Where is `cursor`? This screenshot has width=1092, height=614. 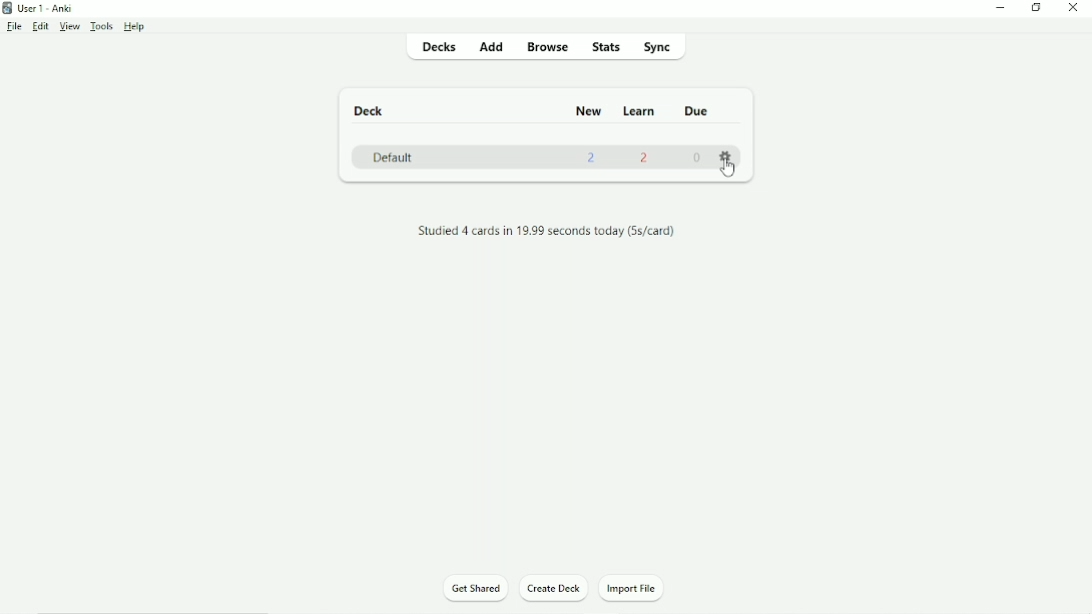
cursor is located at coordinates (728, 169).